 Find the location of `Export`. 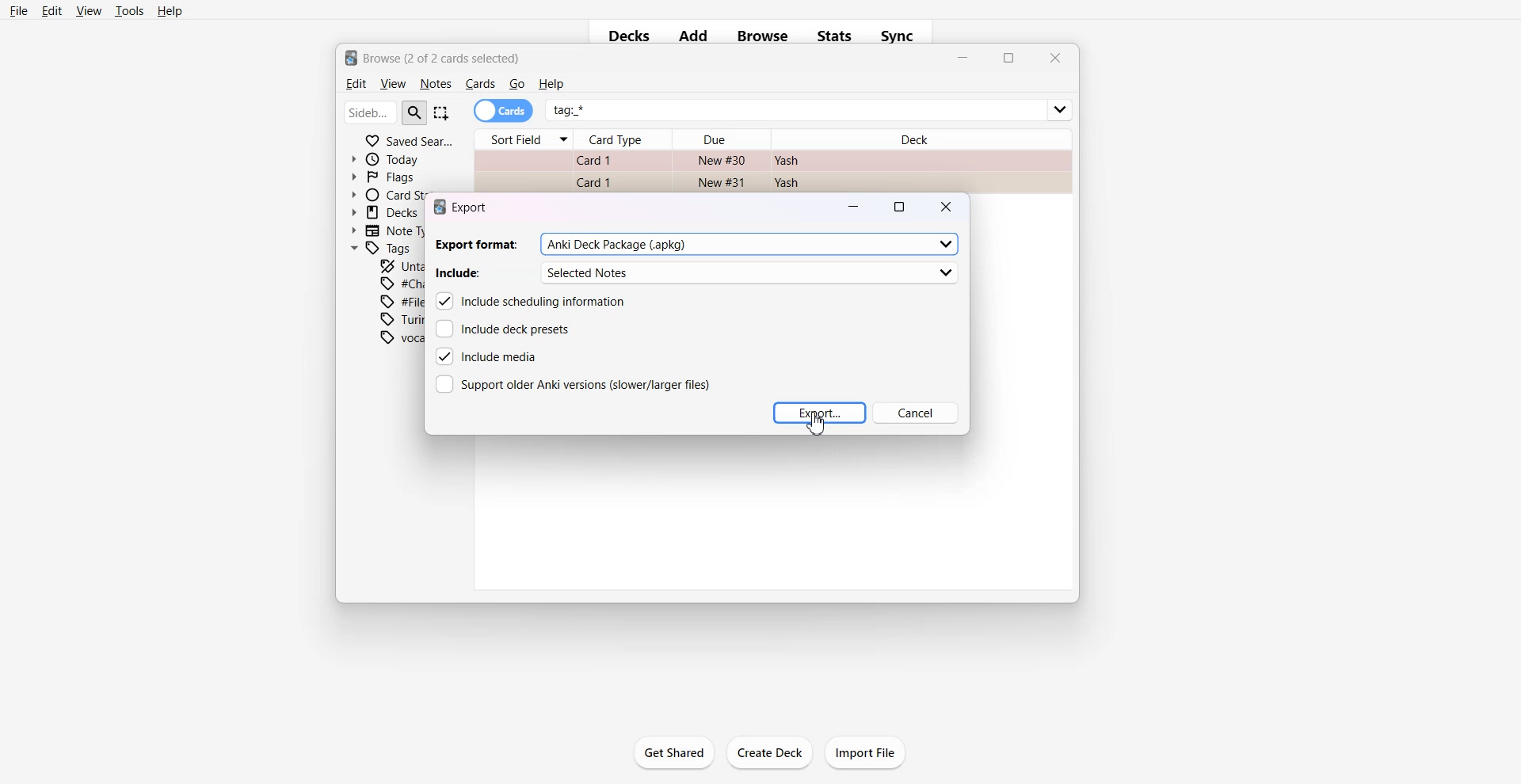

Export is located at coordinates (819, 413).